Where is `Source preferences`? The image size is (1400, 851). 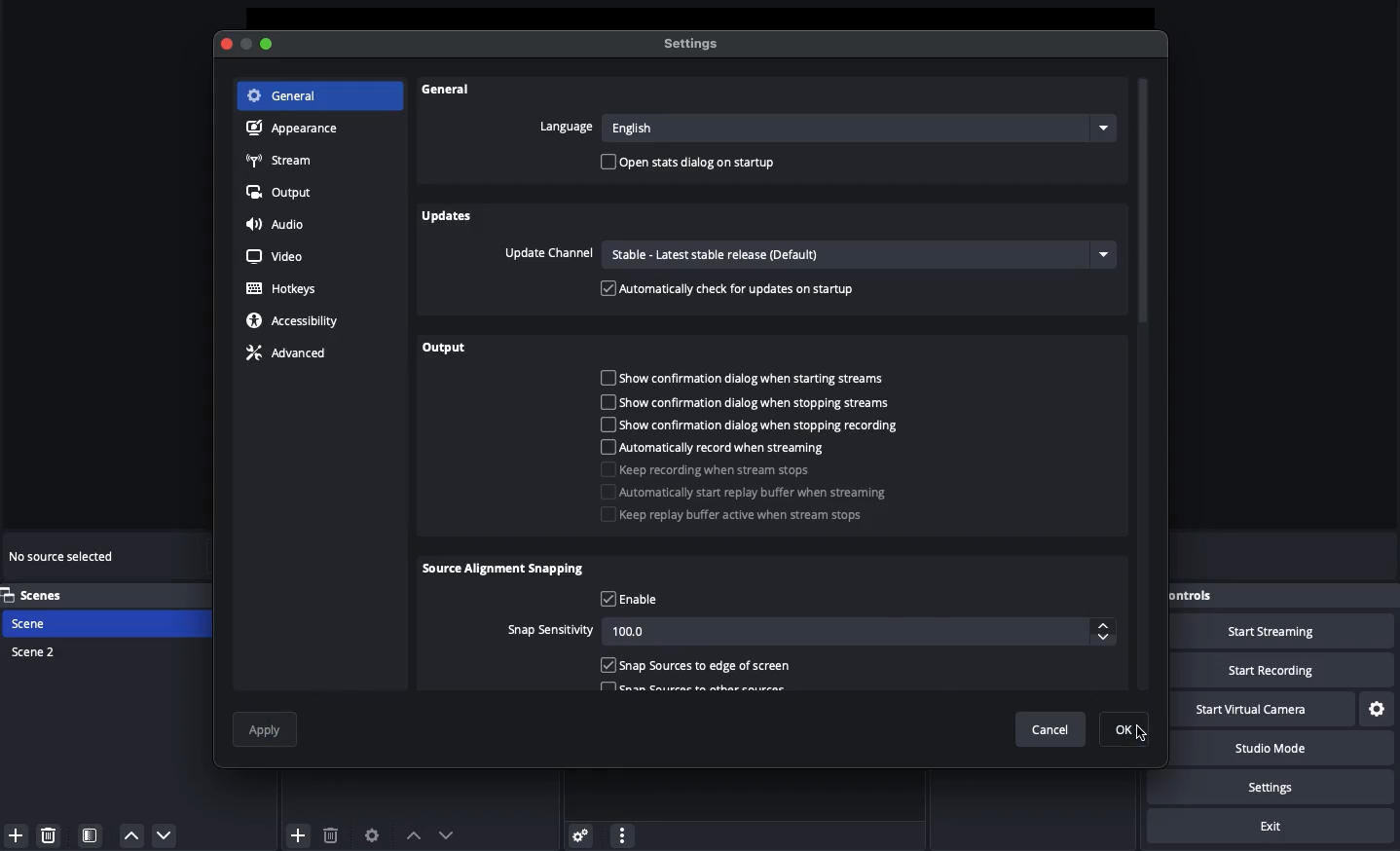 Source preferences is located at coordinates (375, 835).